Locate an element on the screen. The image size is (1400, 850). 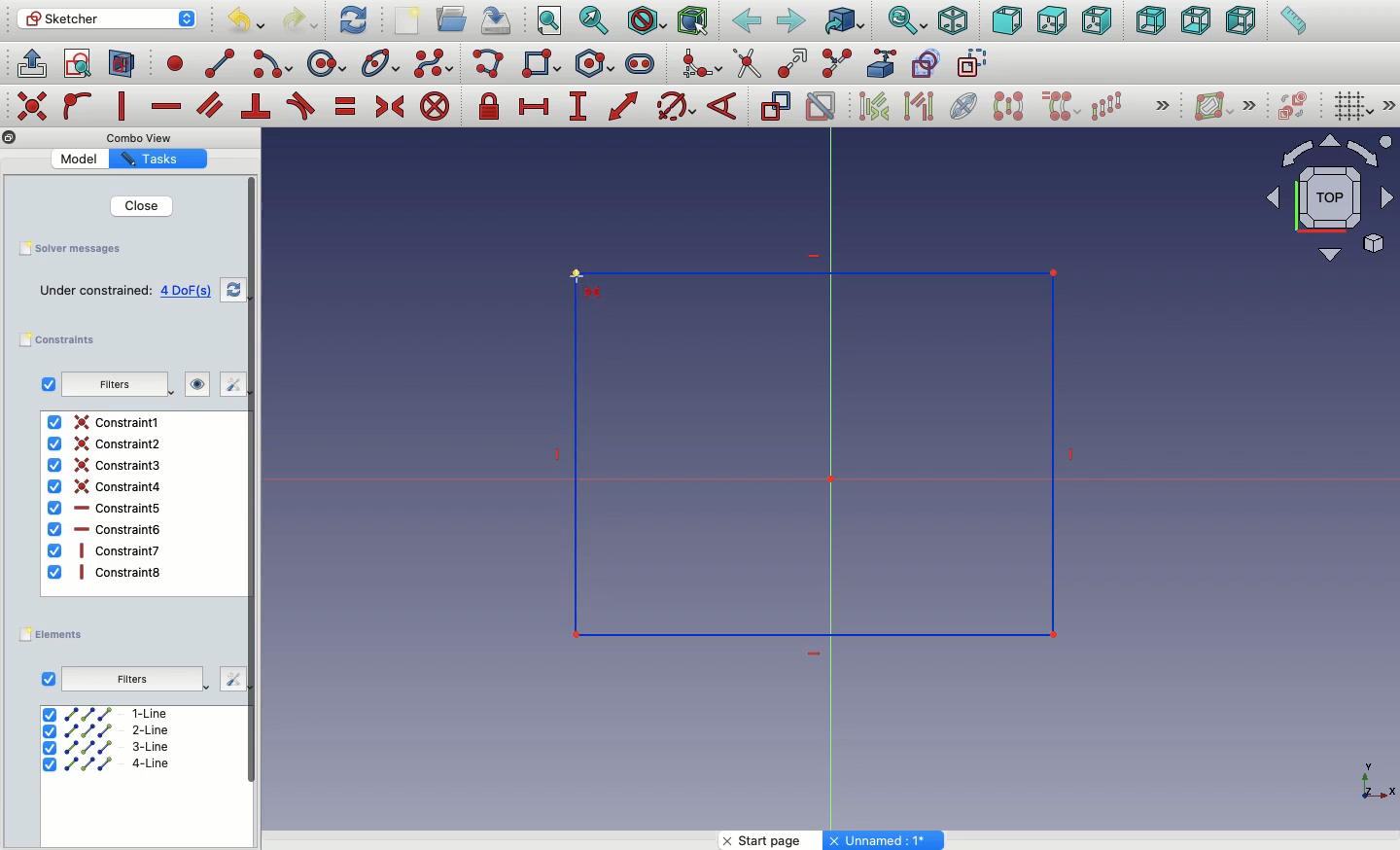
Polygon is located at coordinates (598, 64).